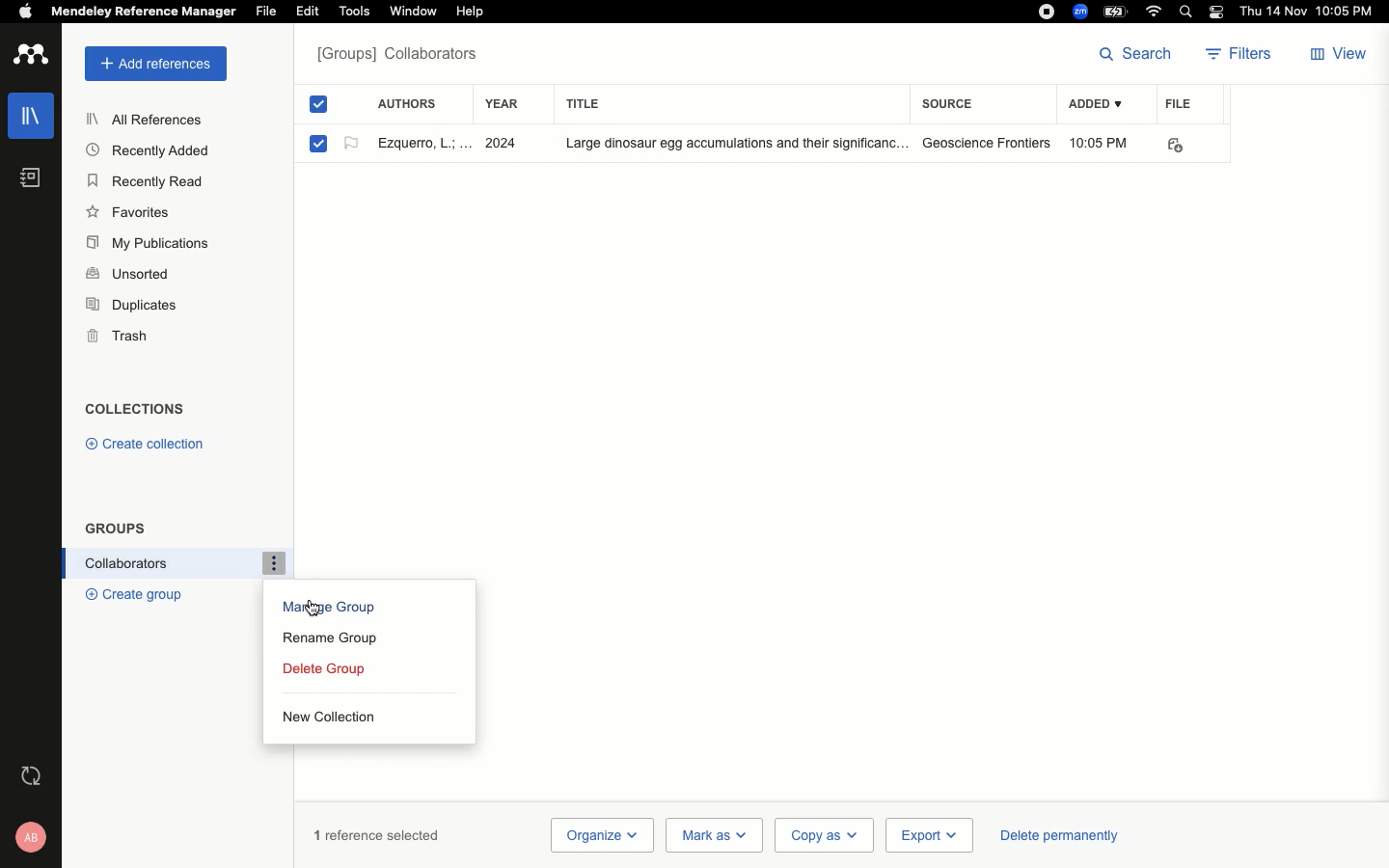 The width and height of the screenshot is (1389, 868). What do you see at coordinates (1118, 11) in the screenshot?
I see `Charge` at bounding box center [1118, 11].